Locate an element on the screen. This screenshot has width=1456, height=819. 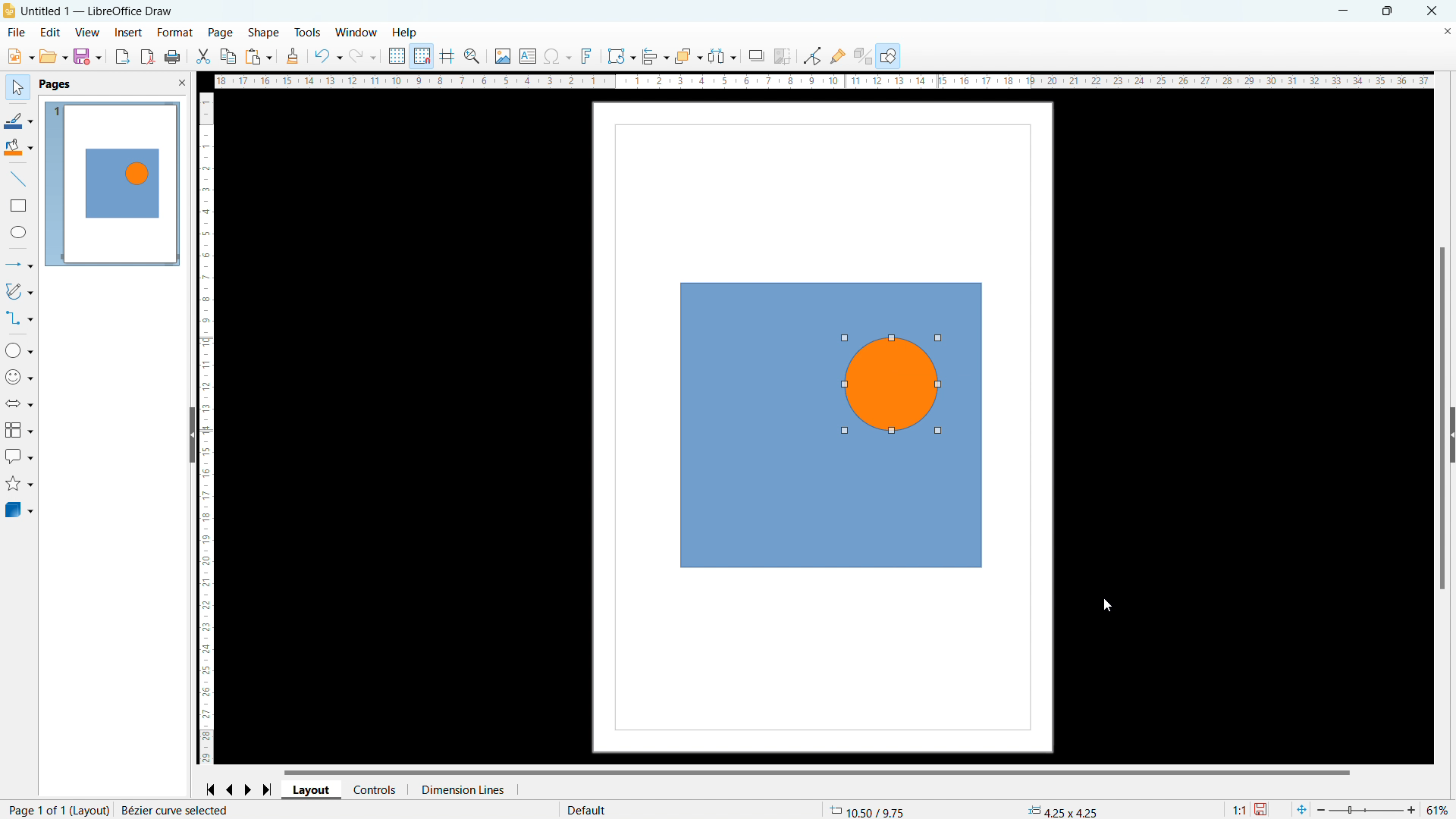
view is located at coordinates (86, 33).